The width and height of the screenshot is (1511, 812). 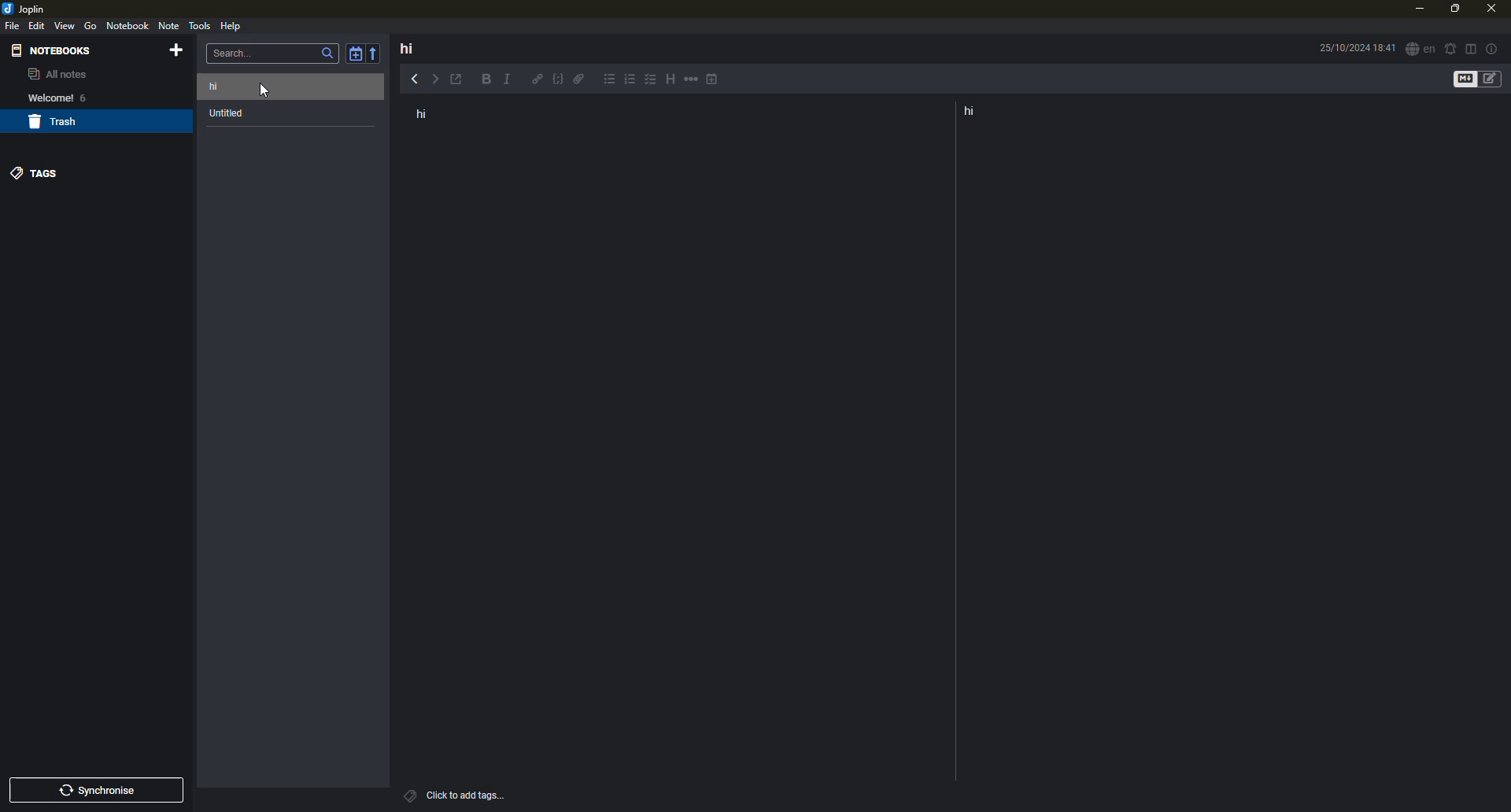 What do you see at coordinates (610, 81) in the screenshot?
I see `bulleted list` at bounding box center [610, 81].